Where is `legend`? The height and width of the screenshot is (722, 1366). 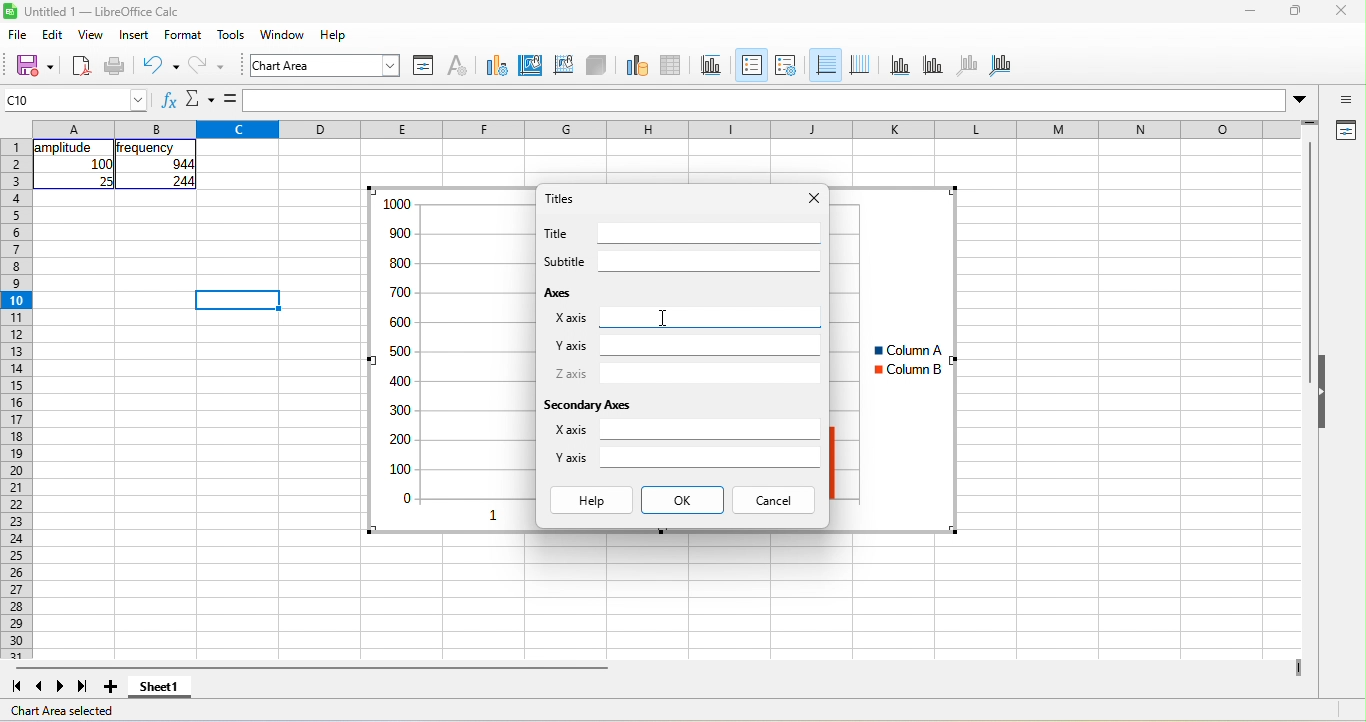
legend is located at coordinates (786, 66).